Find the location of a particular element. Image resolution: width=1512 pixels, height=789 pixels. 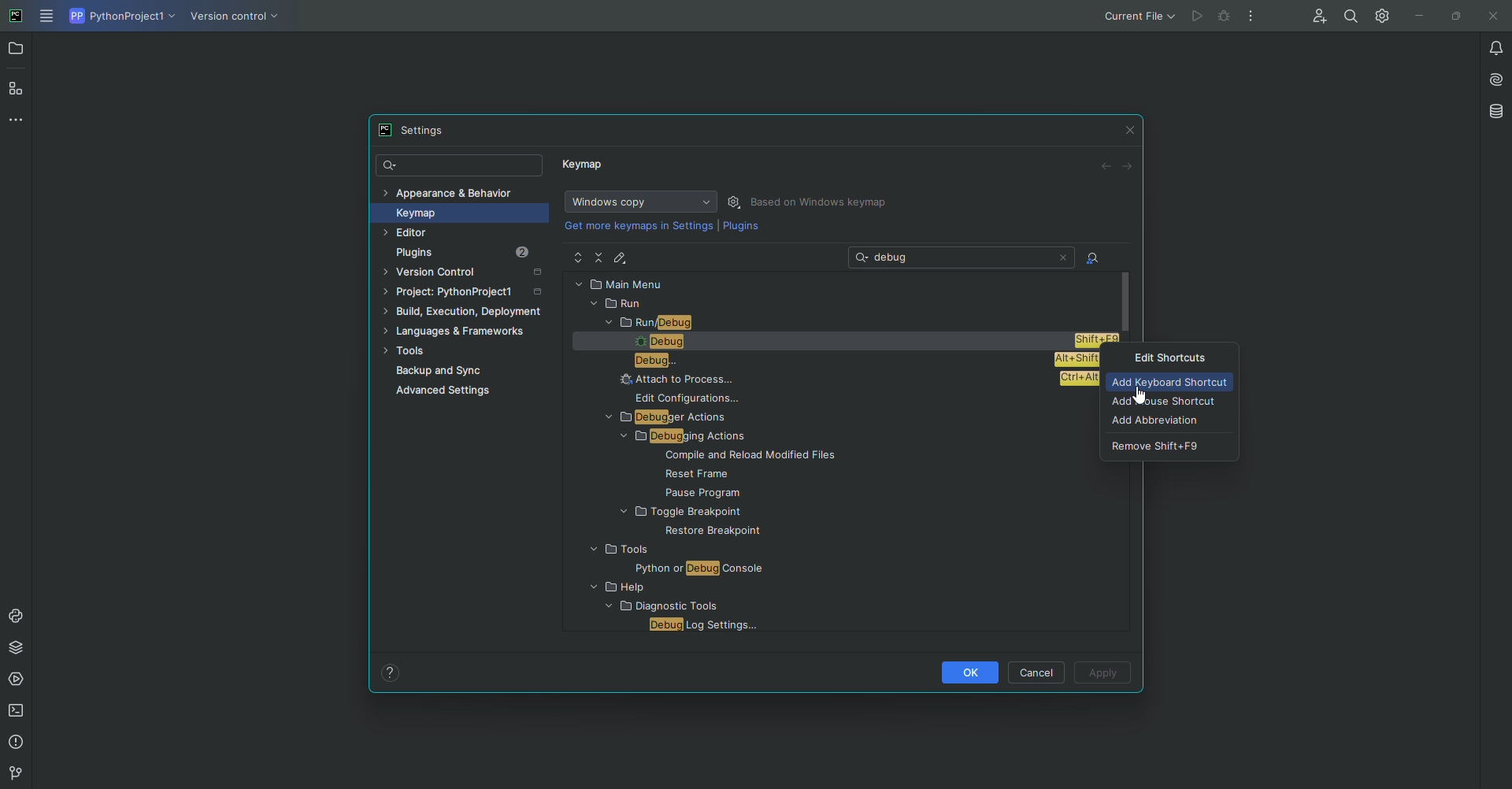

DEBUGGING ACTIONS is located at coordinates (689, 438).